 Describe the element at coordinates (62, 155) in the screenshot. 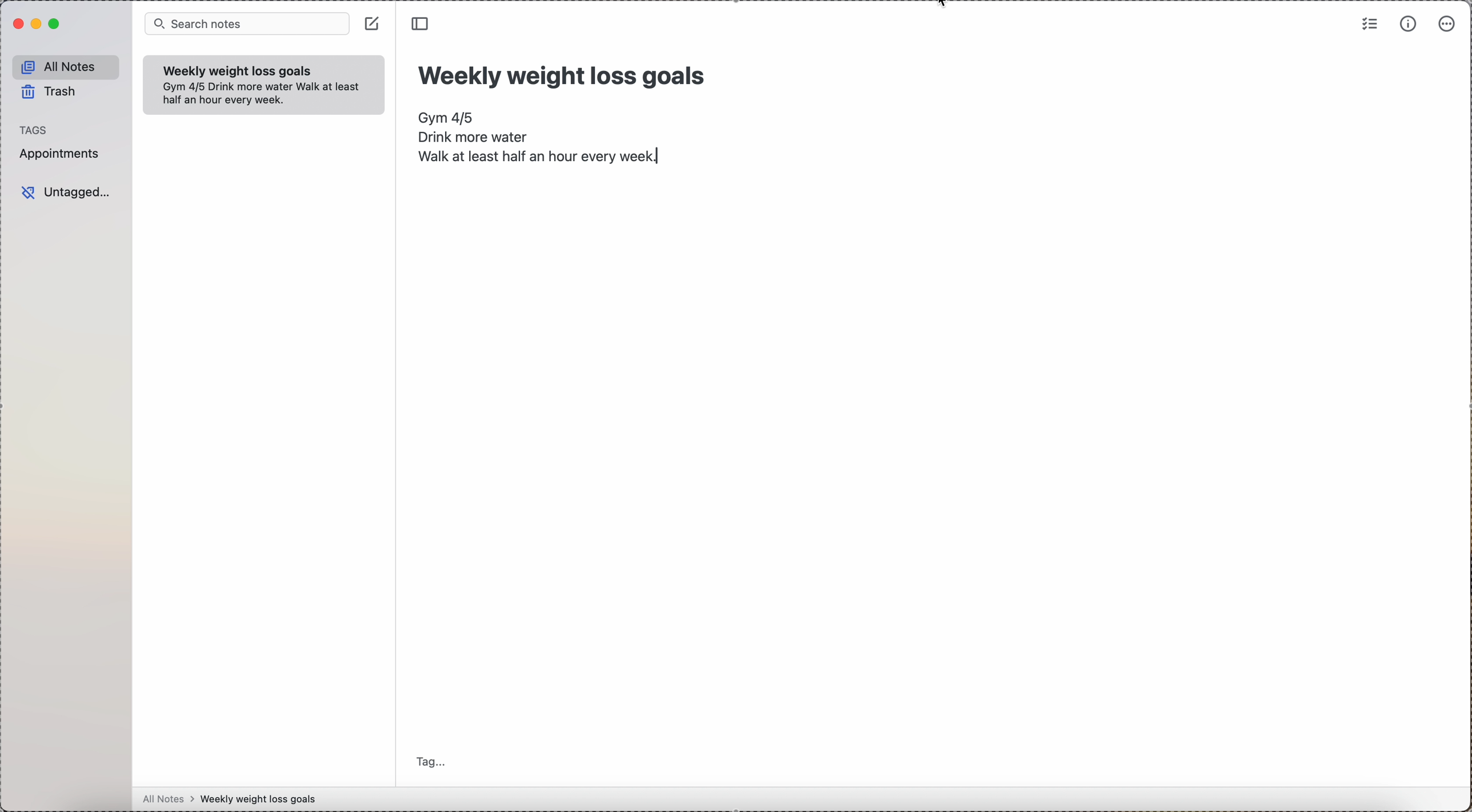

I see `appointments` at that location.